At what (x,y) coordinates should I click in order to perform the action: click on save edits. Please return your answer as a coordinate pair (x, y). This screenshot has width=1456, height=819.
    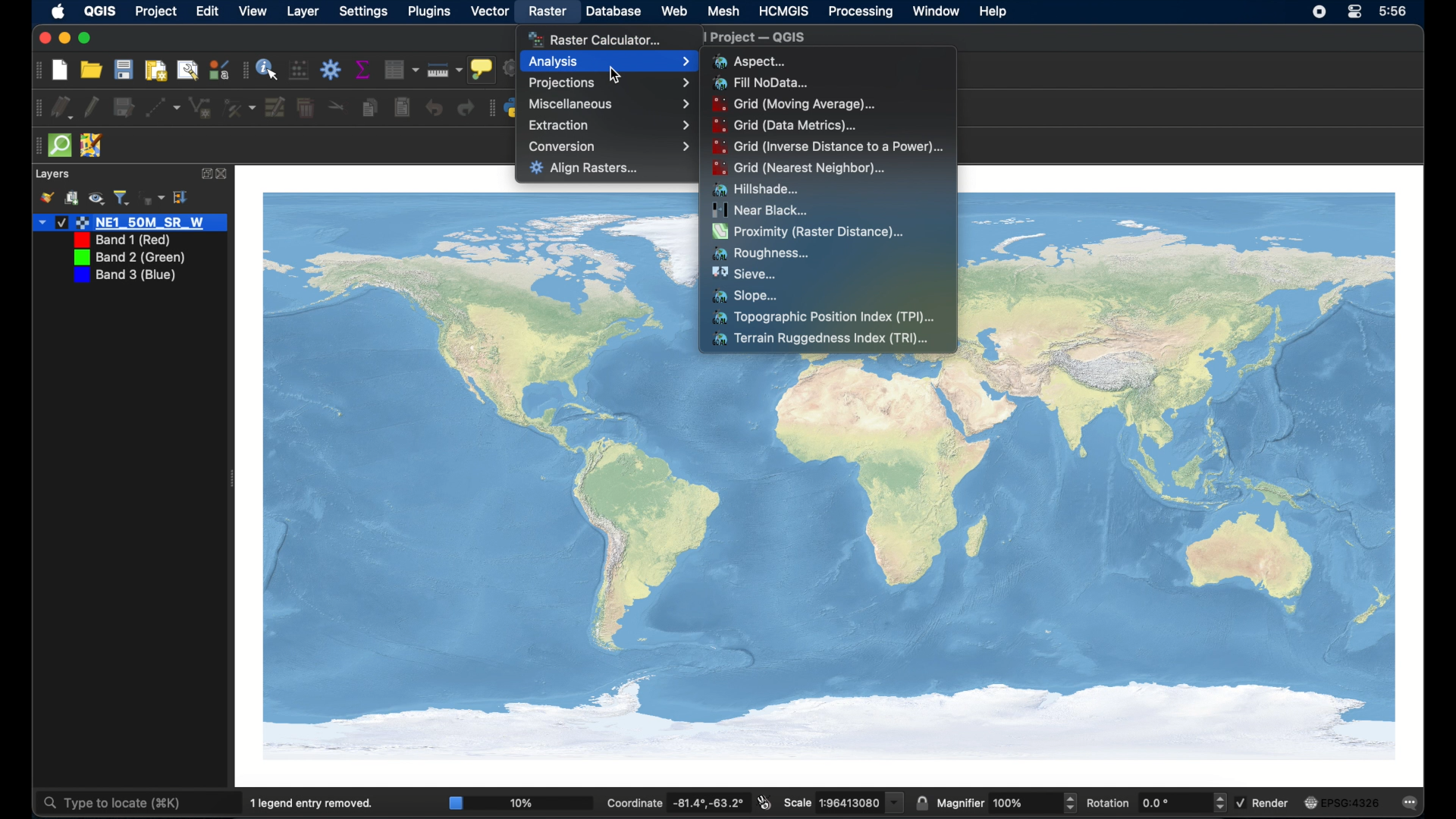
    Looking at the image, I should click on (124, 108).